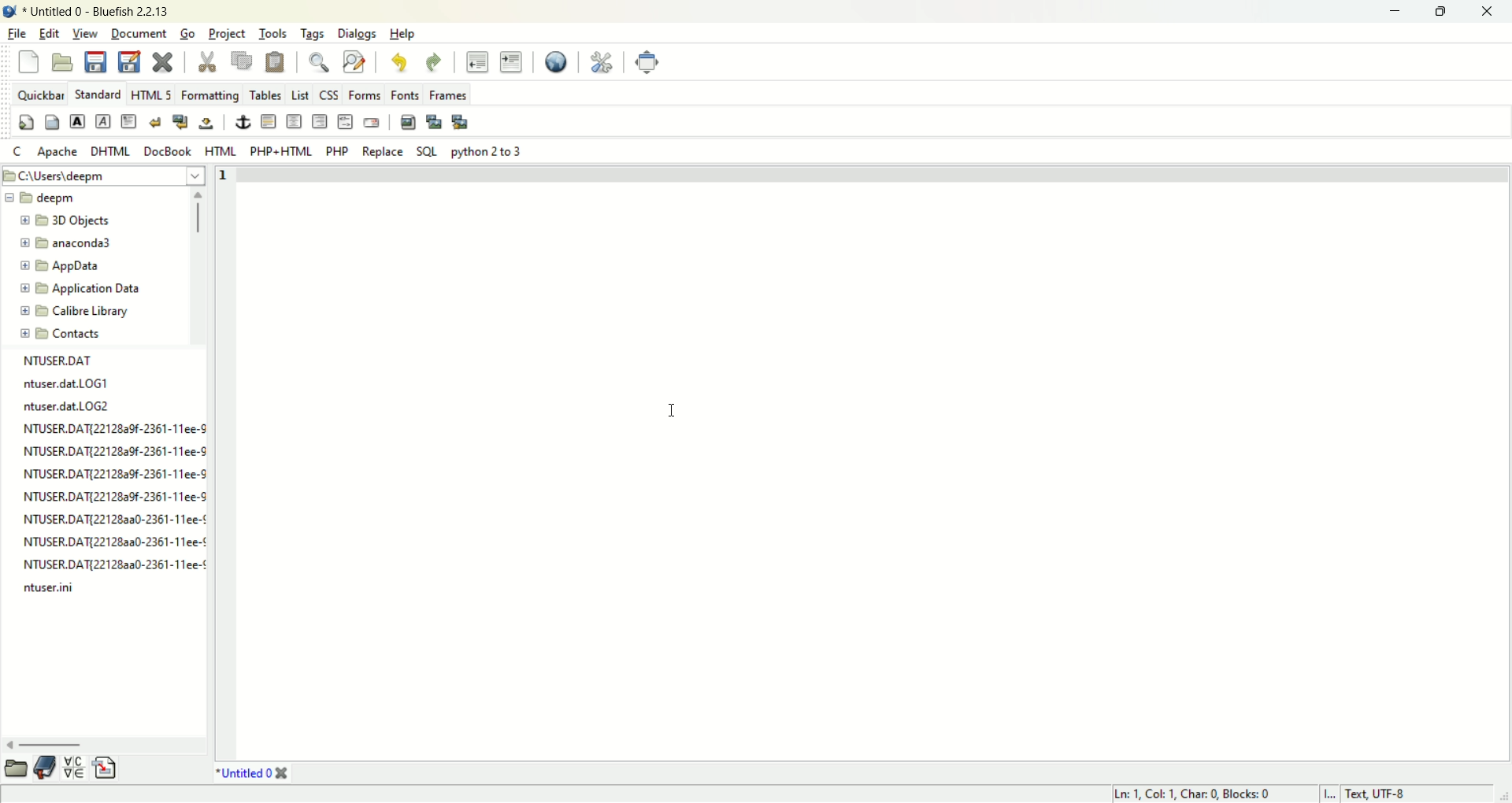 This screenshot has height=803, width=1512. What do you see at coordinates (112, 152) in the screenshot?
I see `DHTML` at bounding box center [112, 152].